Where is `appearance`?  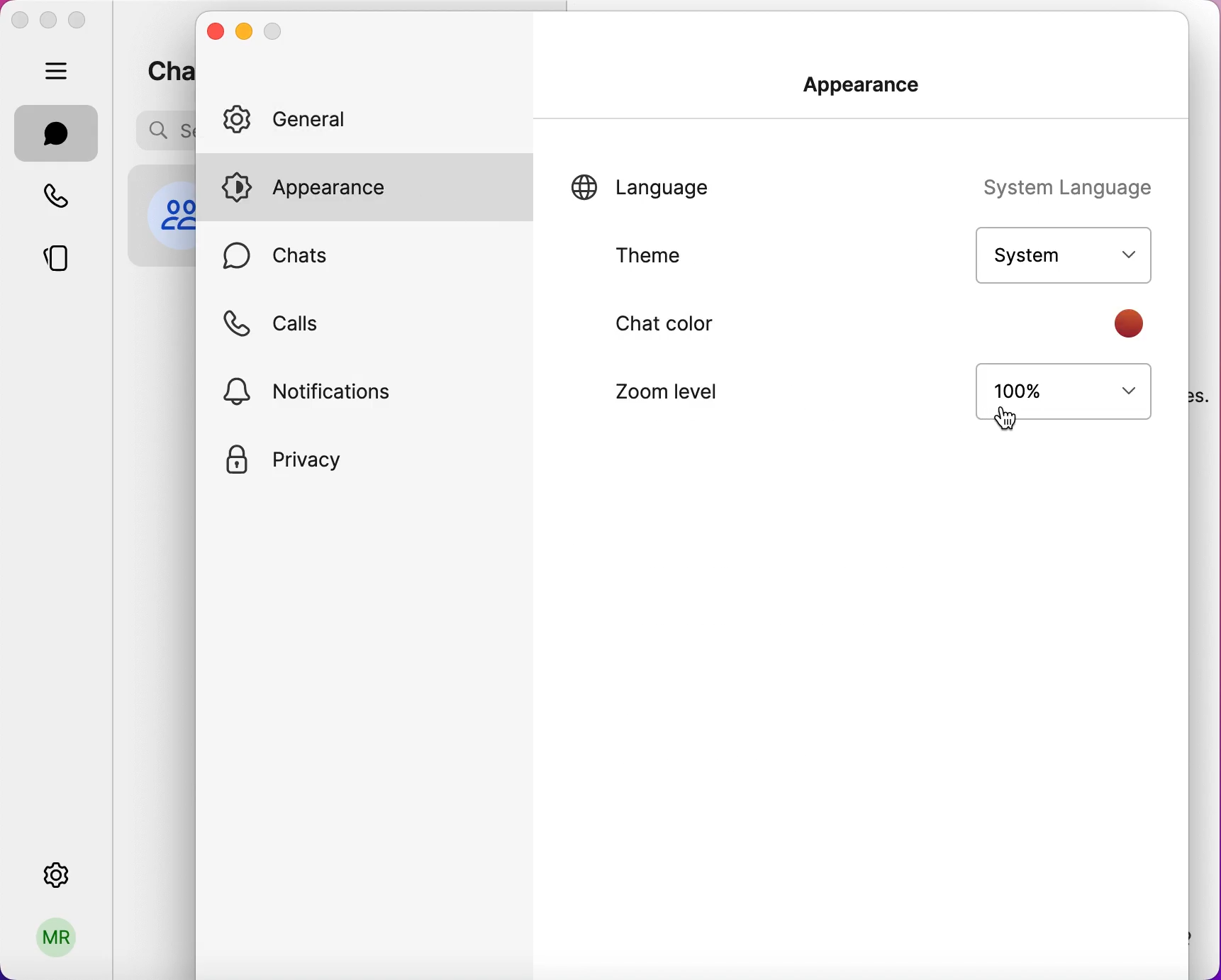 appearance is located at coordinates (866, 89).